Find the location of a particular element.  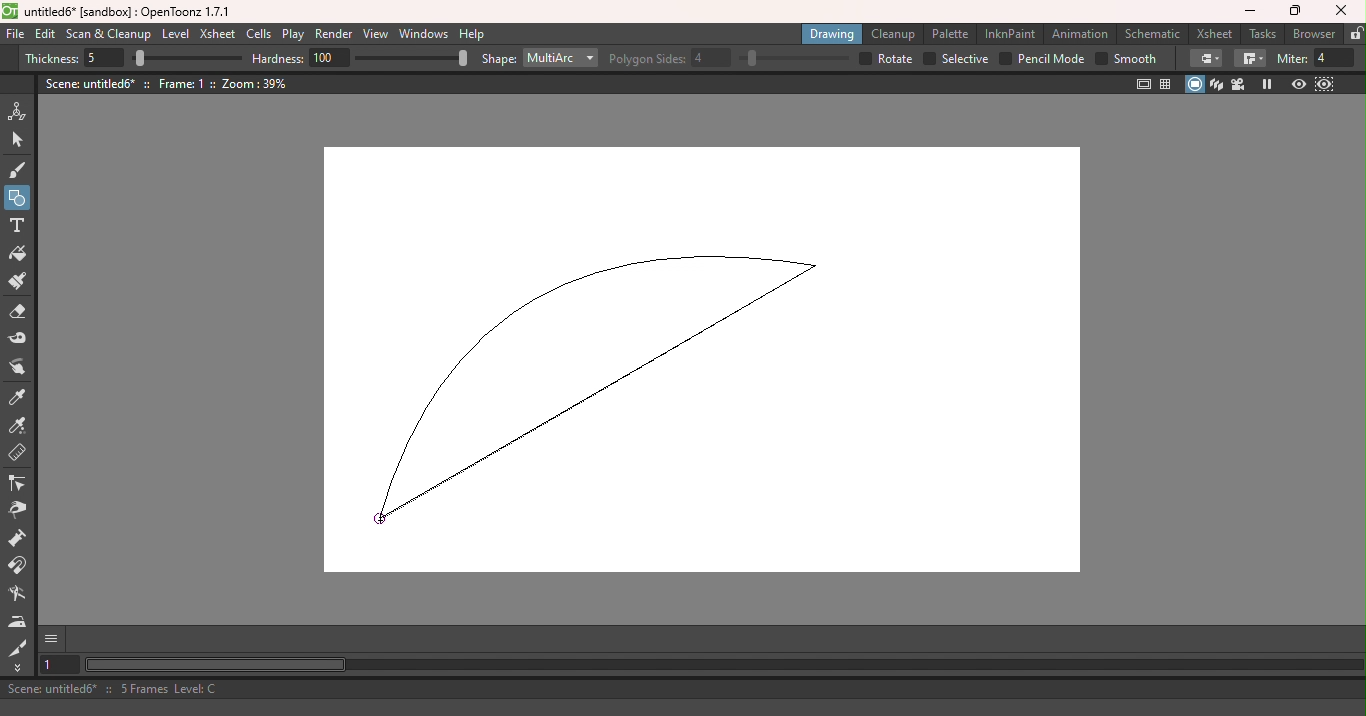

Camera view is located at coordinates (1238, 85).